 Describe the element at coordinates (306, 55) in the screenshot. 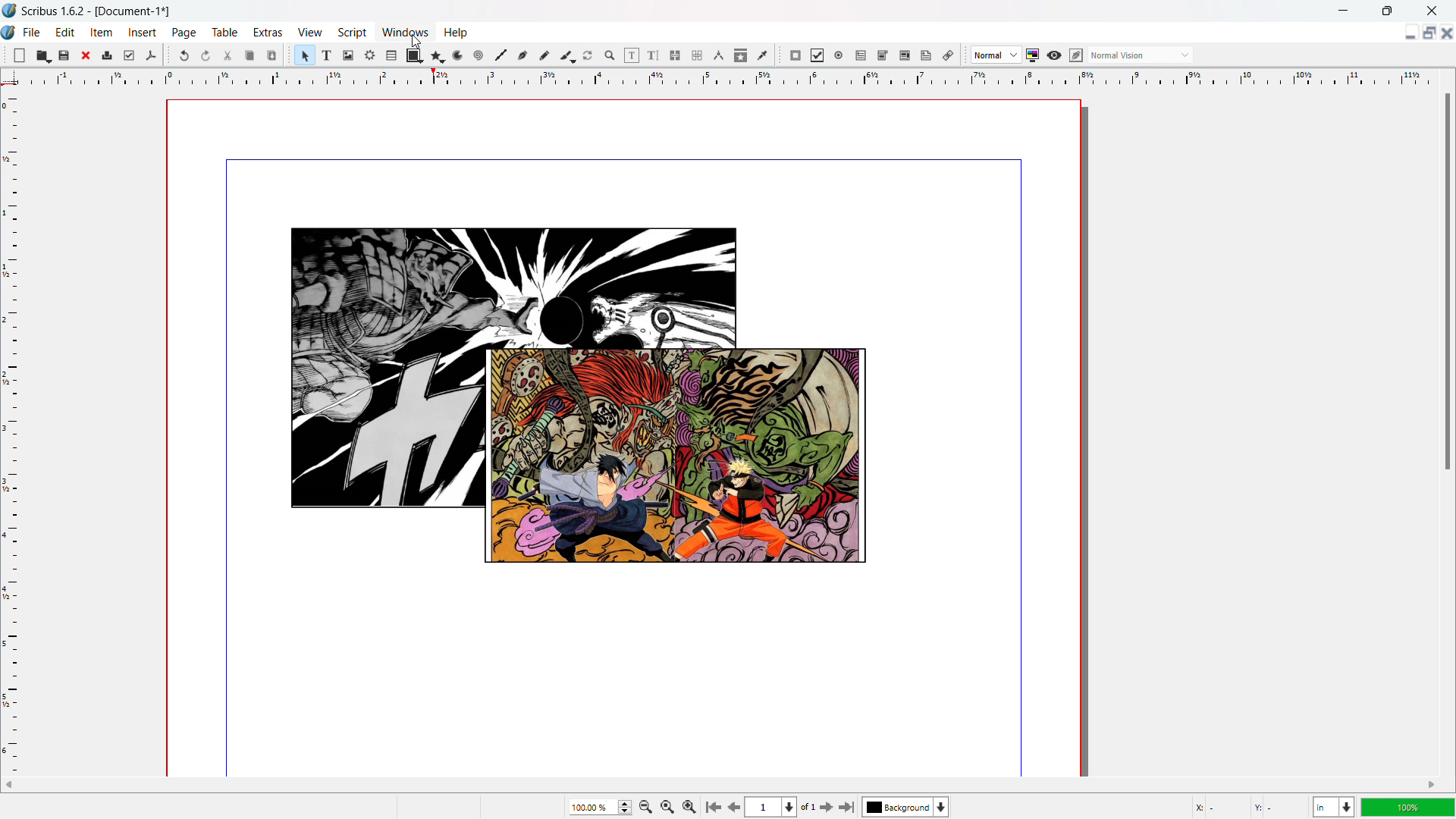

I see `select items` at that location.